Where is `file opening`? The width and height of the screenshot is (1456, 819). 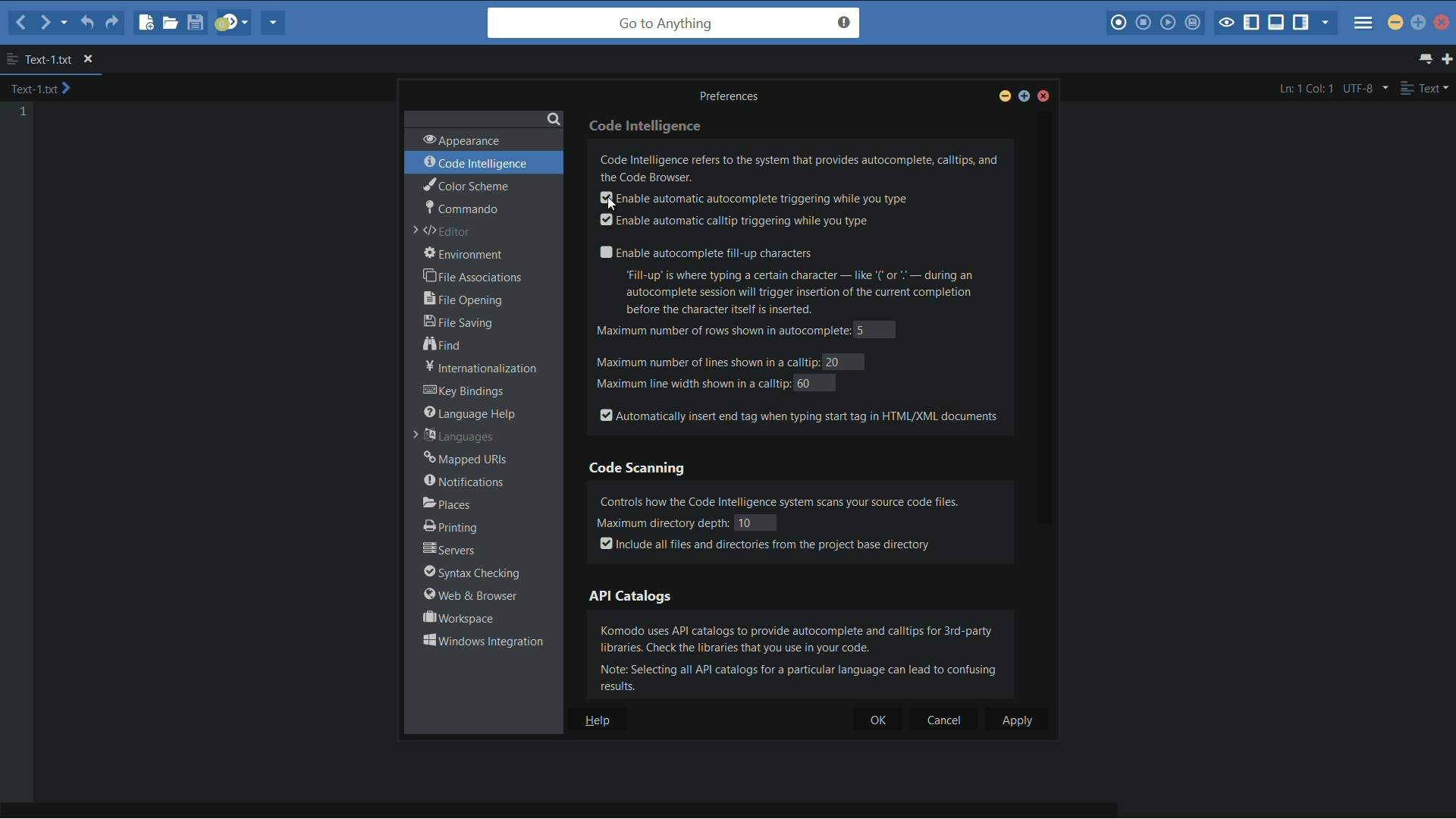
file opening is located at coordinates (466, 299).